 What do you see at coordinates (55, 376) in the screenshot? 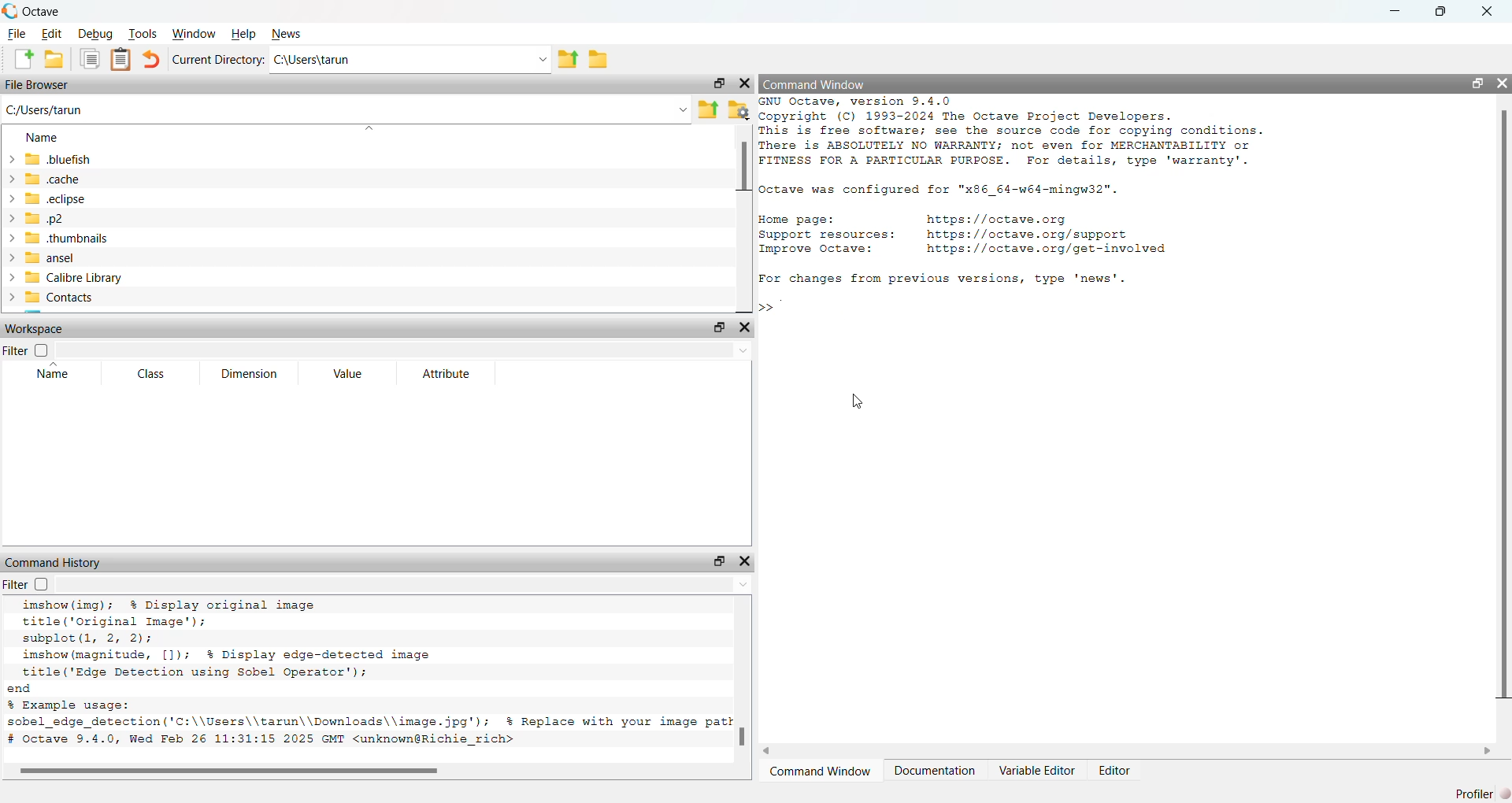
I see `Name` at bounding box center [55, 376].